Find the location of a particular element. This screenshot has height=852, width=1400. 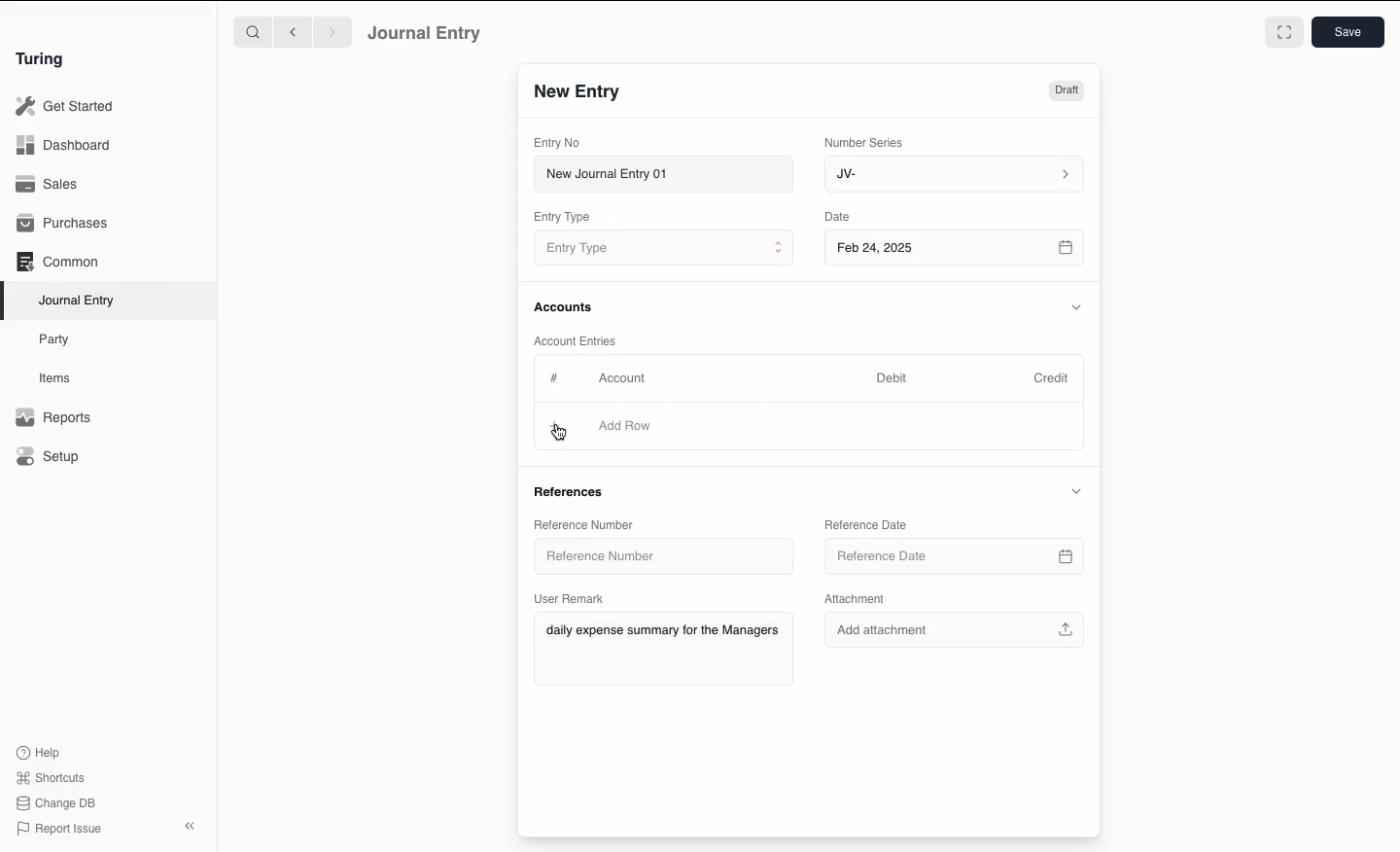

Toggle between form and full width is located at coordinates (1284, 32).